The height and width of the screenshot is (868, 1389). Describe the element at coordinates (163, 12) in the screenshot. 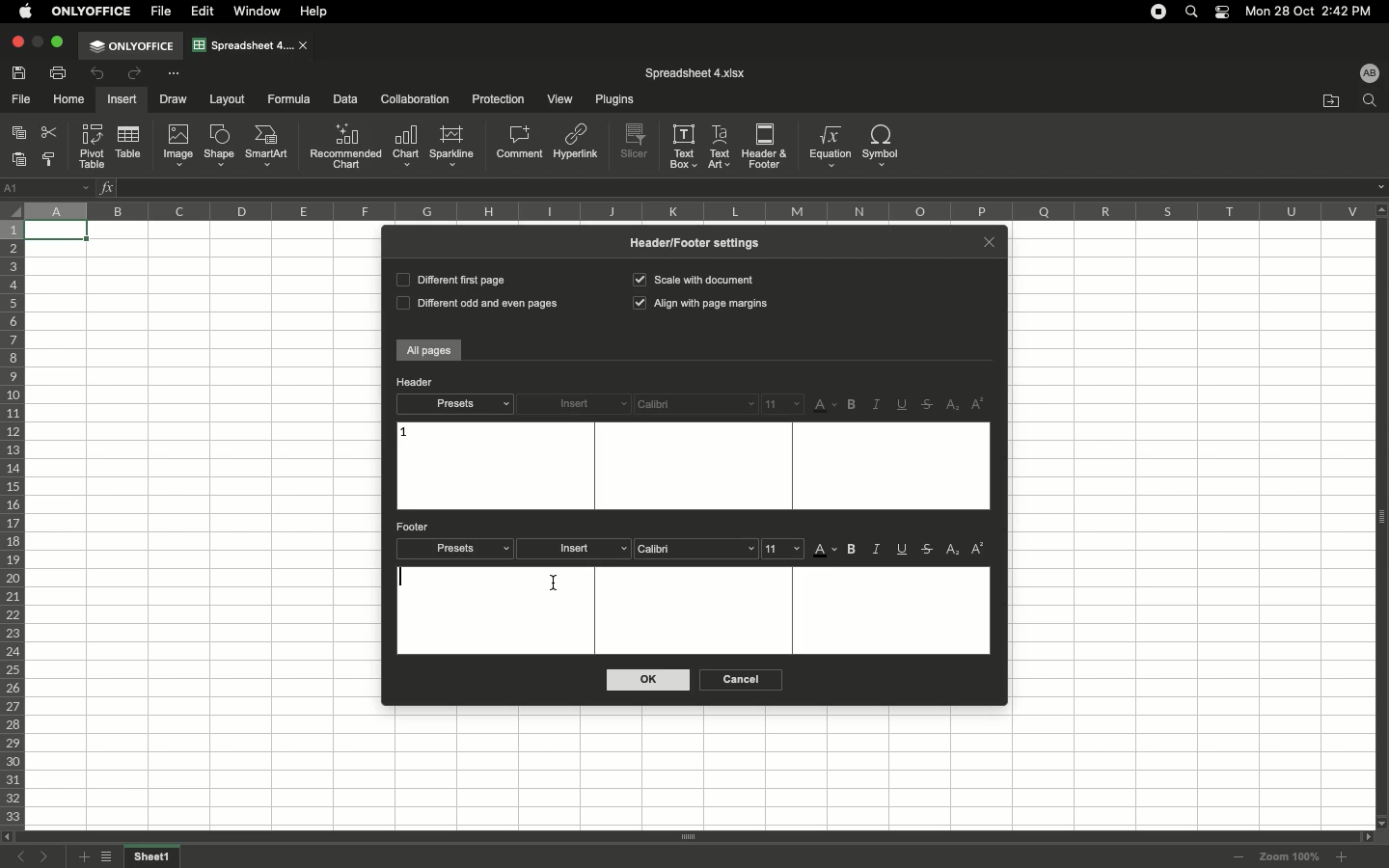

I see `File` at that location.